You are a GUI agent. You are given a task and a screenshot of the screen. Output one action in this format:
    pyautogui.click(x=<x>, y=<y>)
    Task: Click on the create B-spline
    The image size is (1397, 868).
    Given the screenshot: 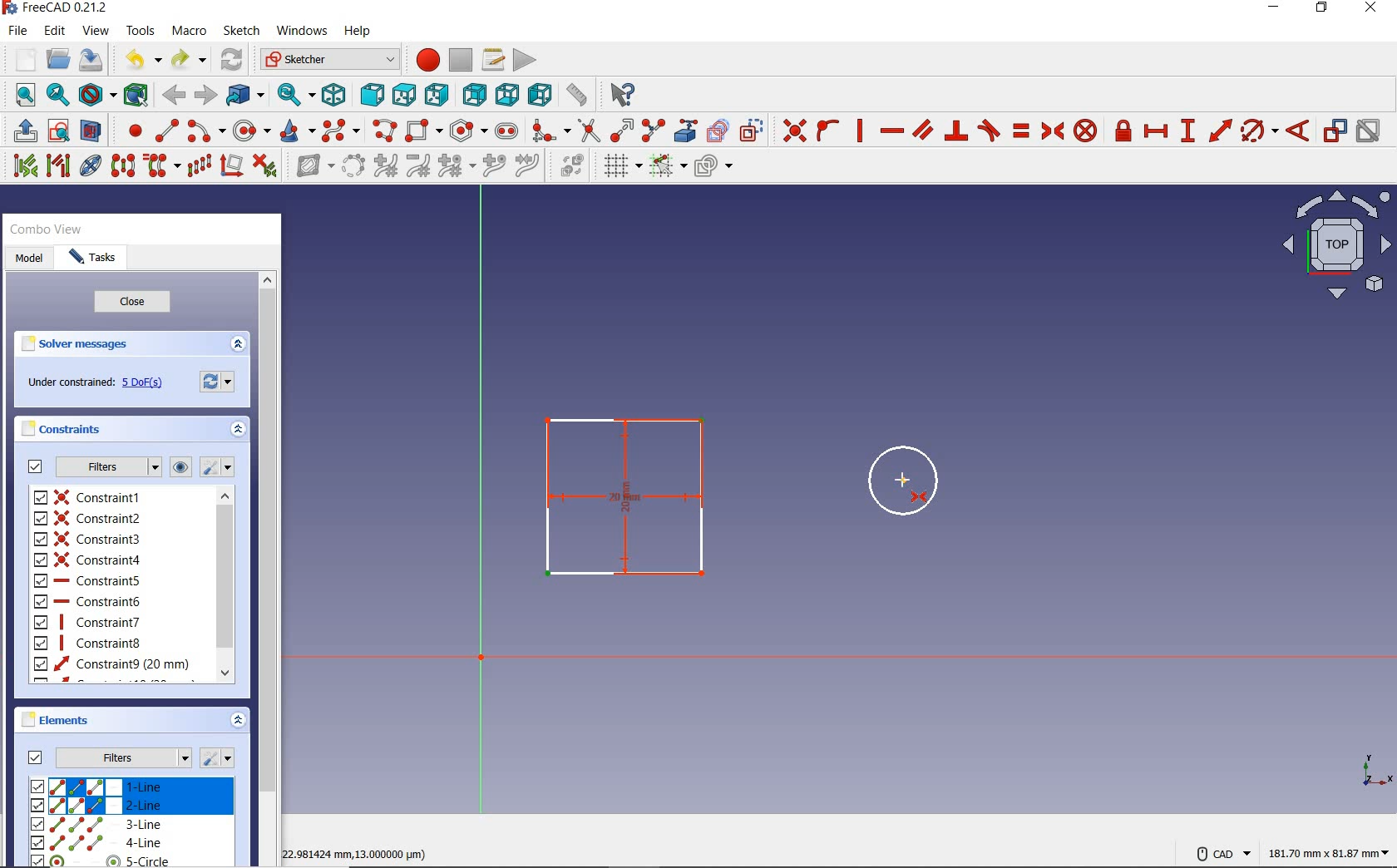 What is the action you would take?
    pyautogui.click(x=343, y=130)
    